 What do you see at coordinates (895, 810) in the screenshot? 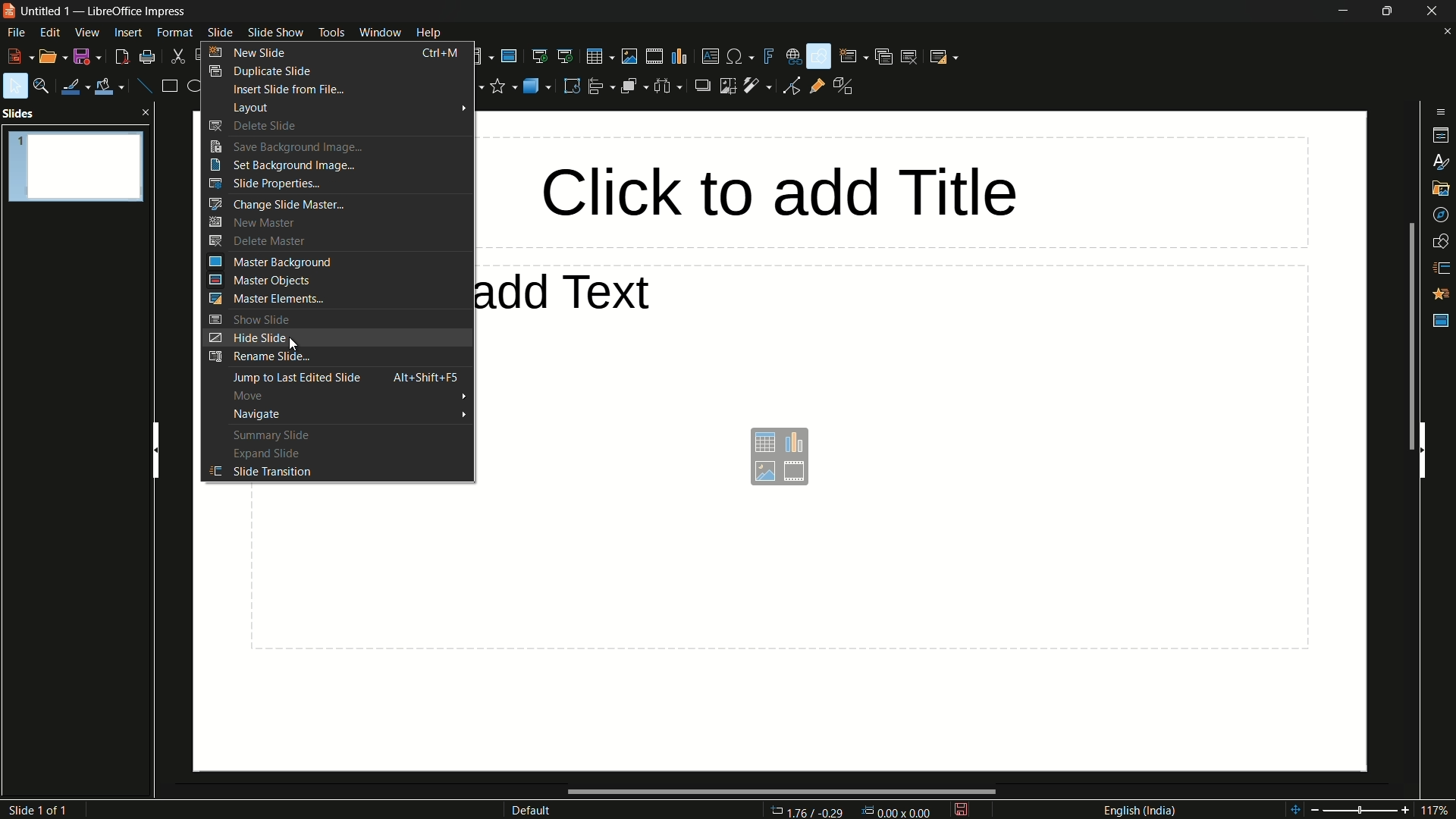
I see `width & height of selected object` at bounding box center [895, 810].